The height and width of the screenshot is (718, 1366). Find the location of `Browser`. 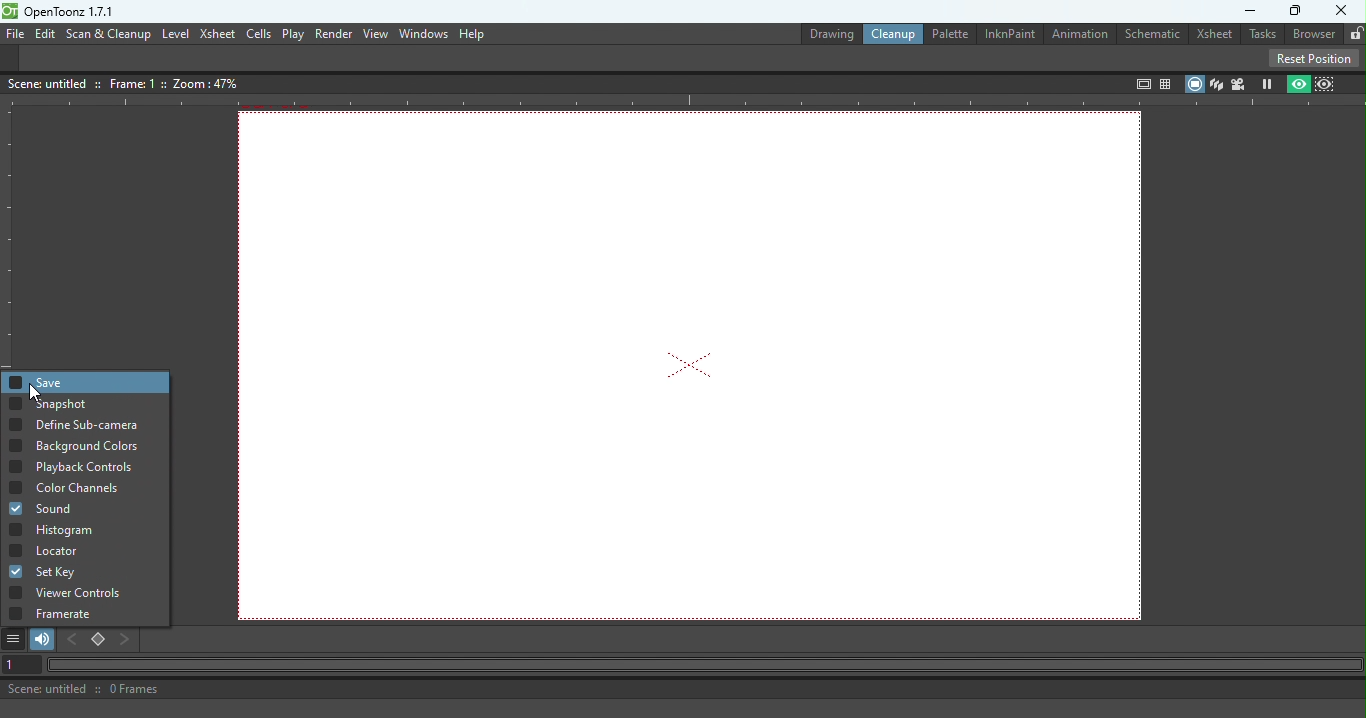

Browser is located at coordinates (1310, 34).